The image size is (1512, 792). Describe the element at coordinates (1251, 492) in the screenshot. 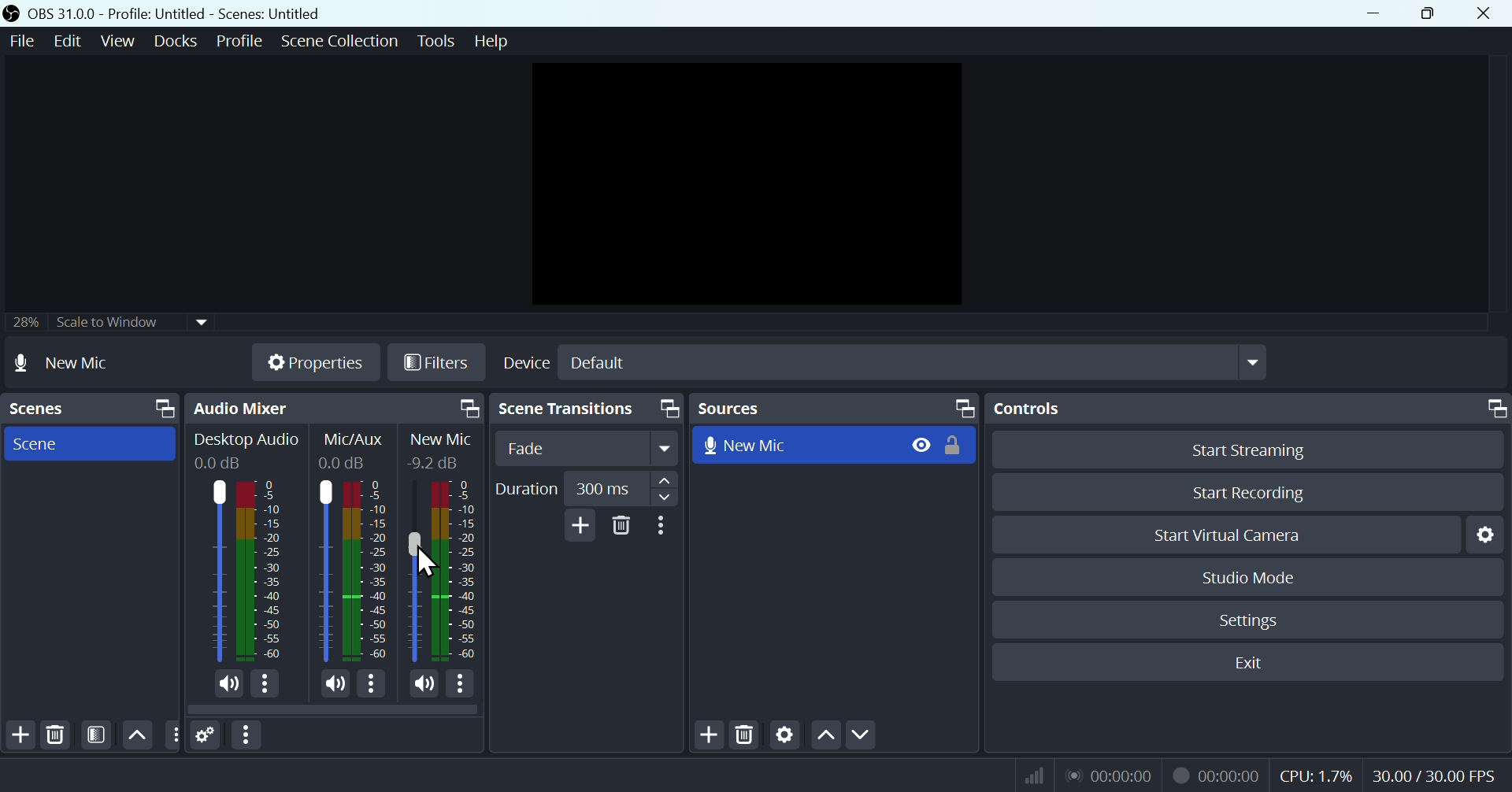

I see `Start recording` at that location.